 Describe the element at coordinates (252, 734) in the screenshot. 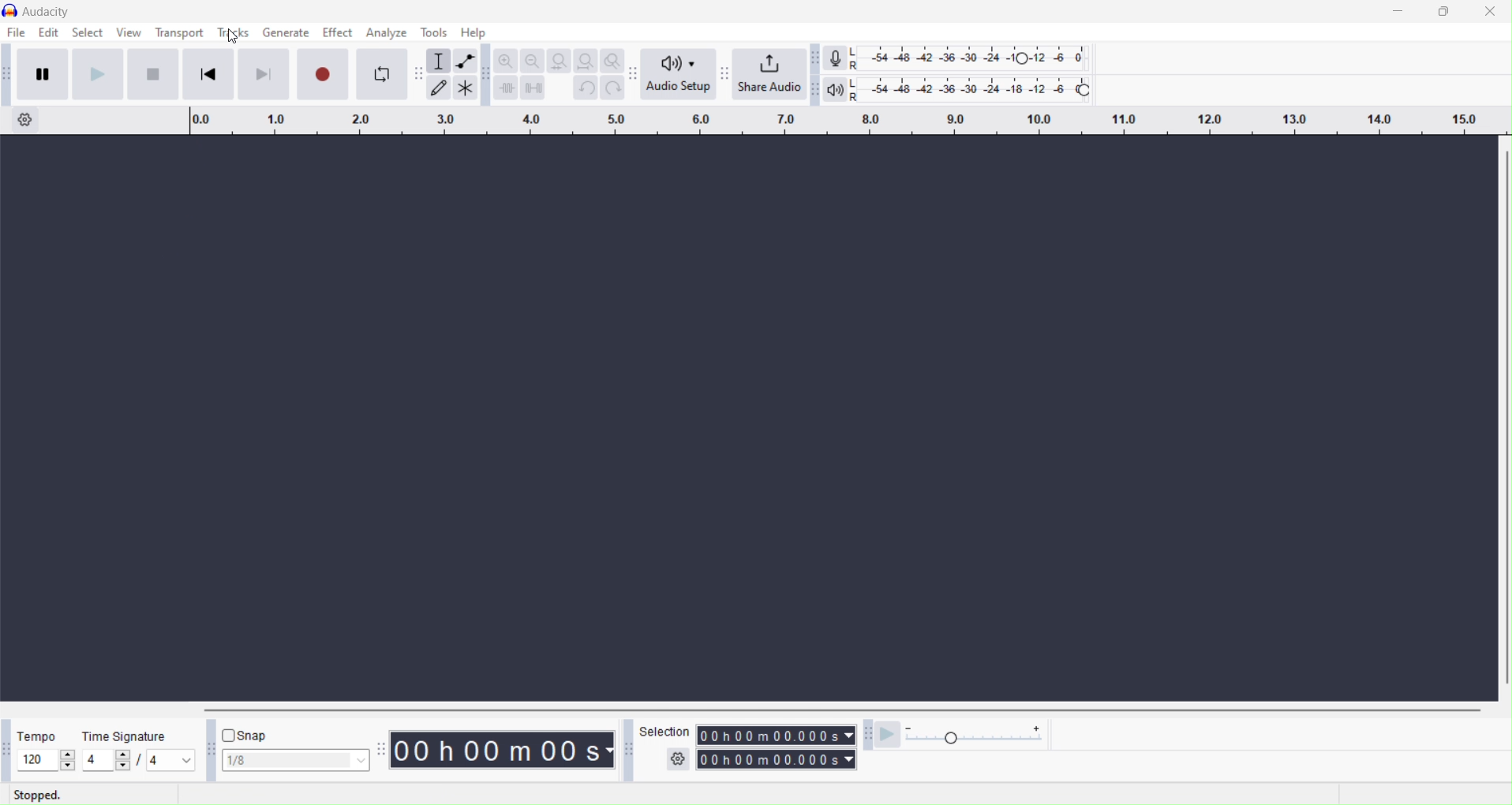

I see `Snap` at that location.